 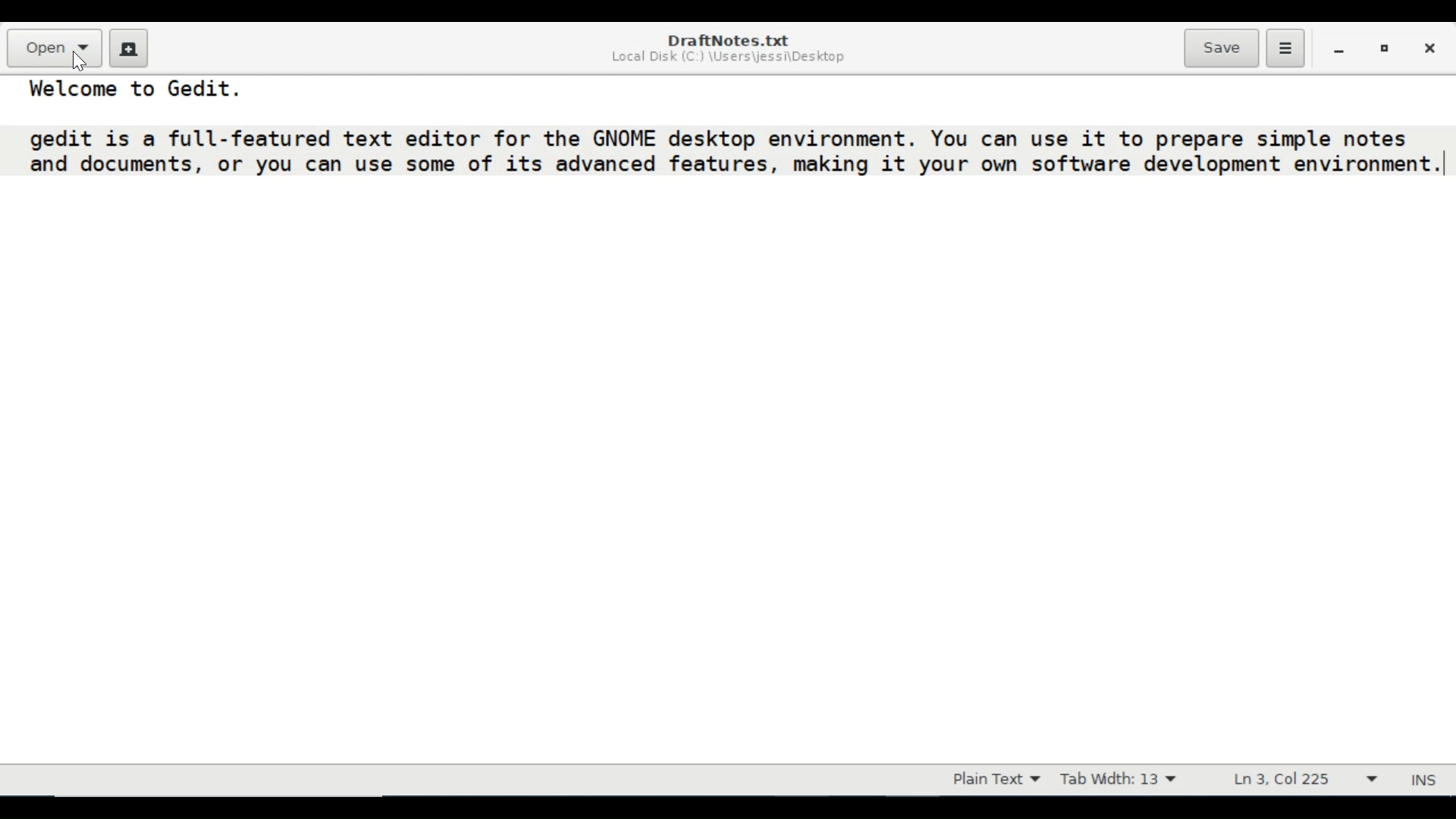 What do you see at coordinates (1221, 48) in the screenshot?
I see `Save` at bounding box center [1221, 48].